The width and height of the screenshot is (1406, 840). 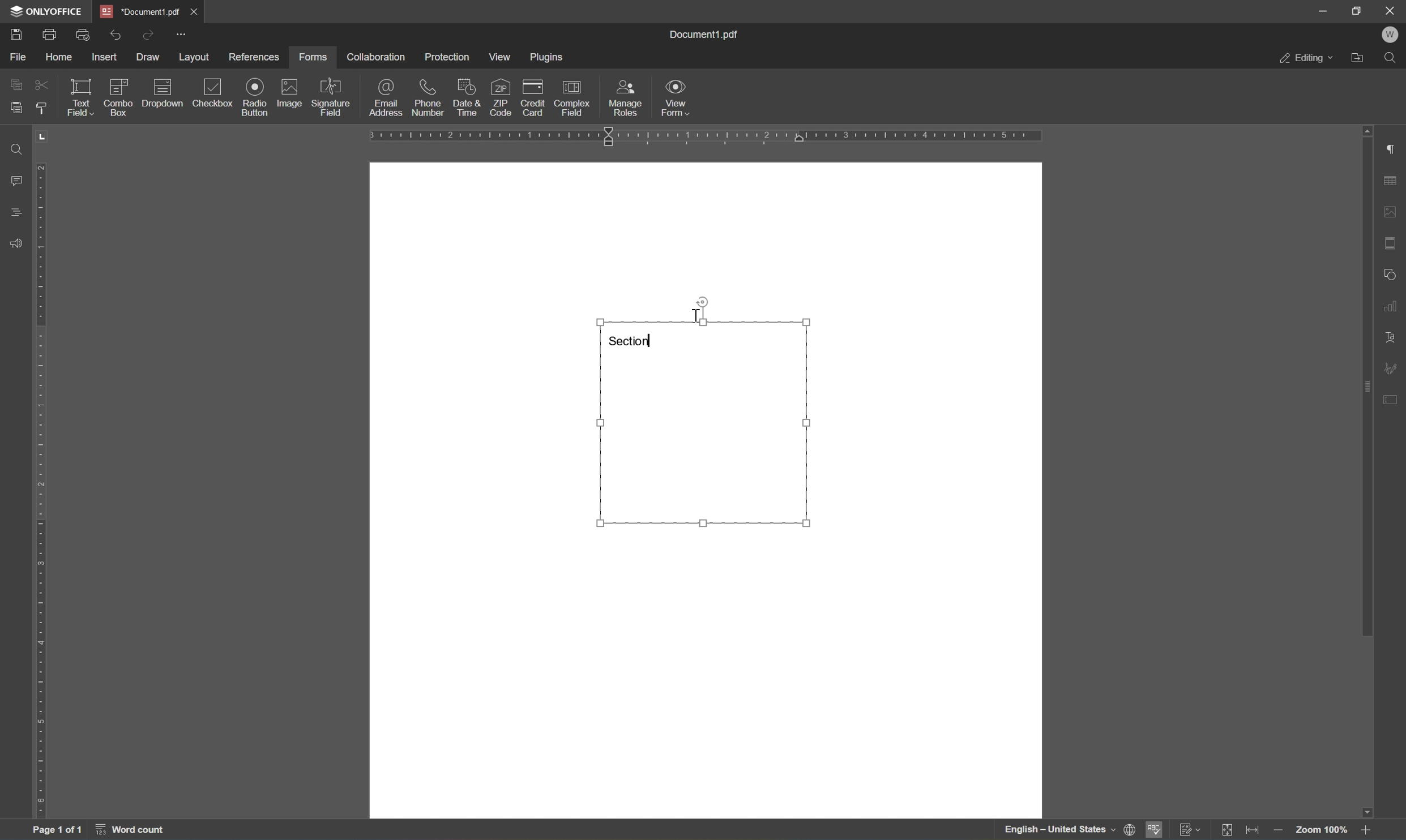 I want to click on copy style, so click(x=41, y=108).